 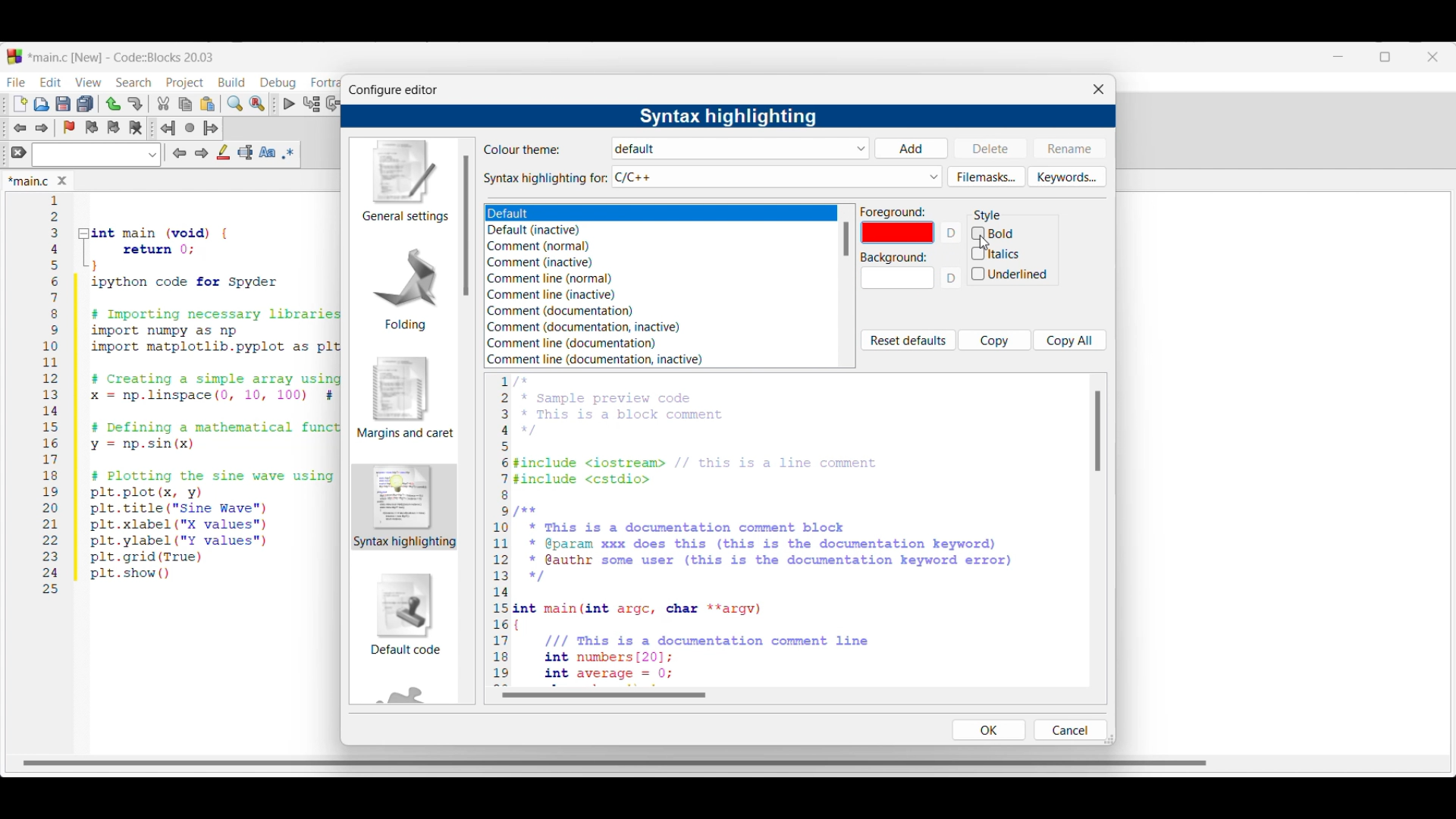 What do you see at coordinates (201, 152) in the screenshot?
I see `Next` at bounding box center [201, 152].